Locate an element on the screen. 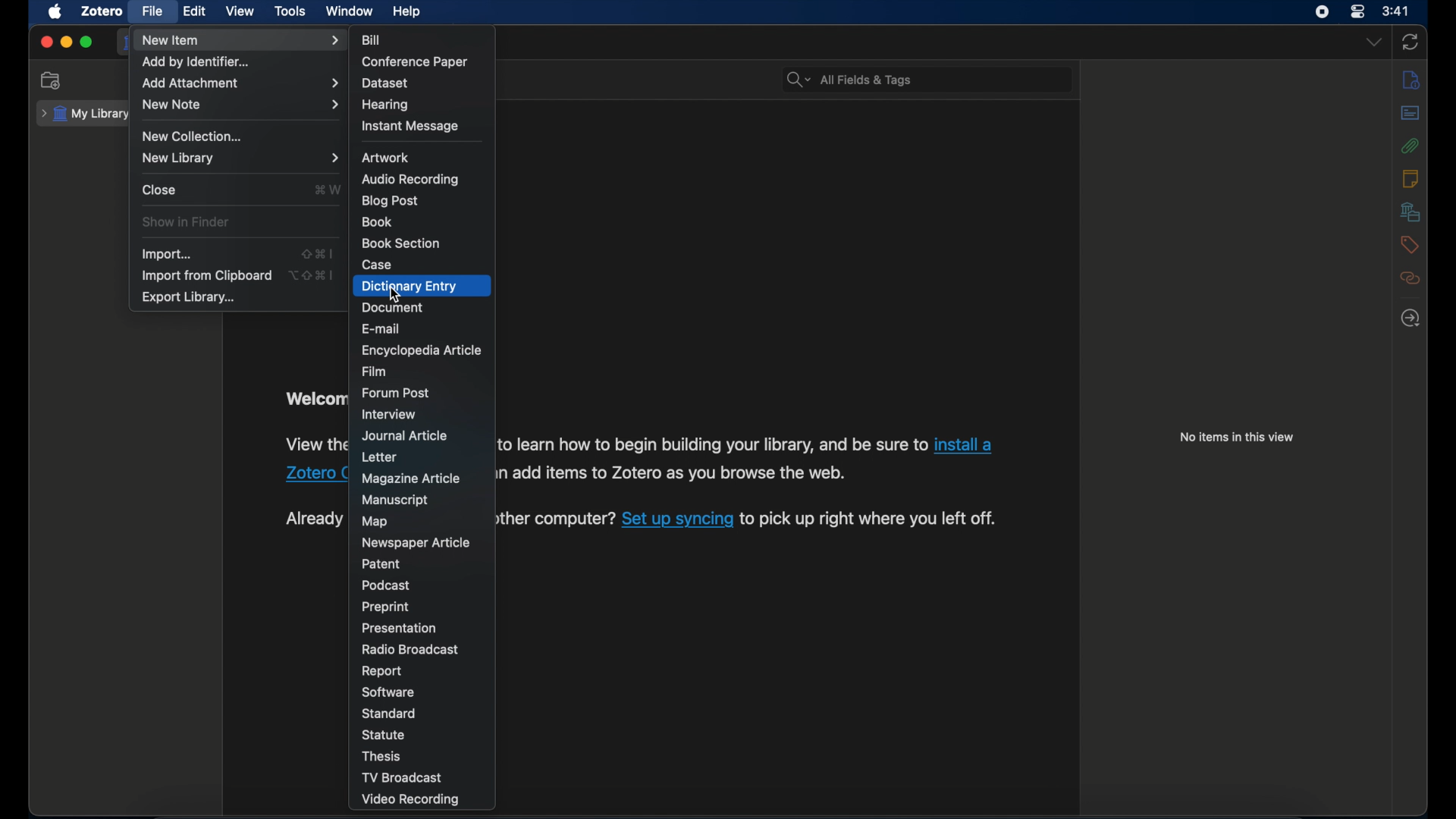 The height and width of the screenshot is (819, 1456). tv broadcast is located at coordinates (401, 777).